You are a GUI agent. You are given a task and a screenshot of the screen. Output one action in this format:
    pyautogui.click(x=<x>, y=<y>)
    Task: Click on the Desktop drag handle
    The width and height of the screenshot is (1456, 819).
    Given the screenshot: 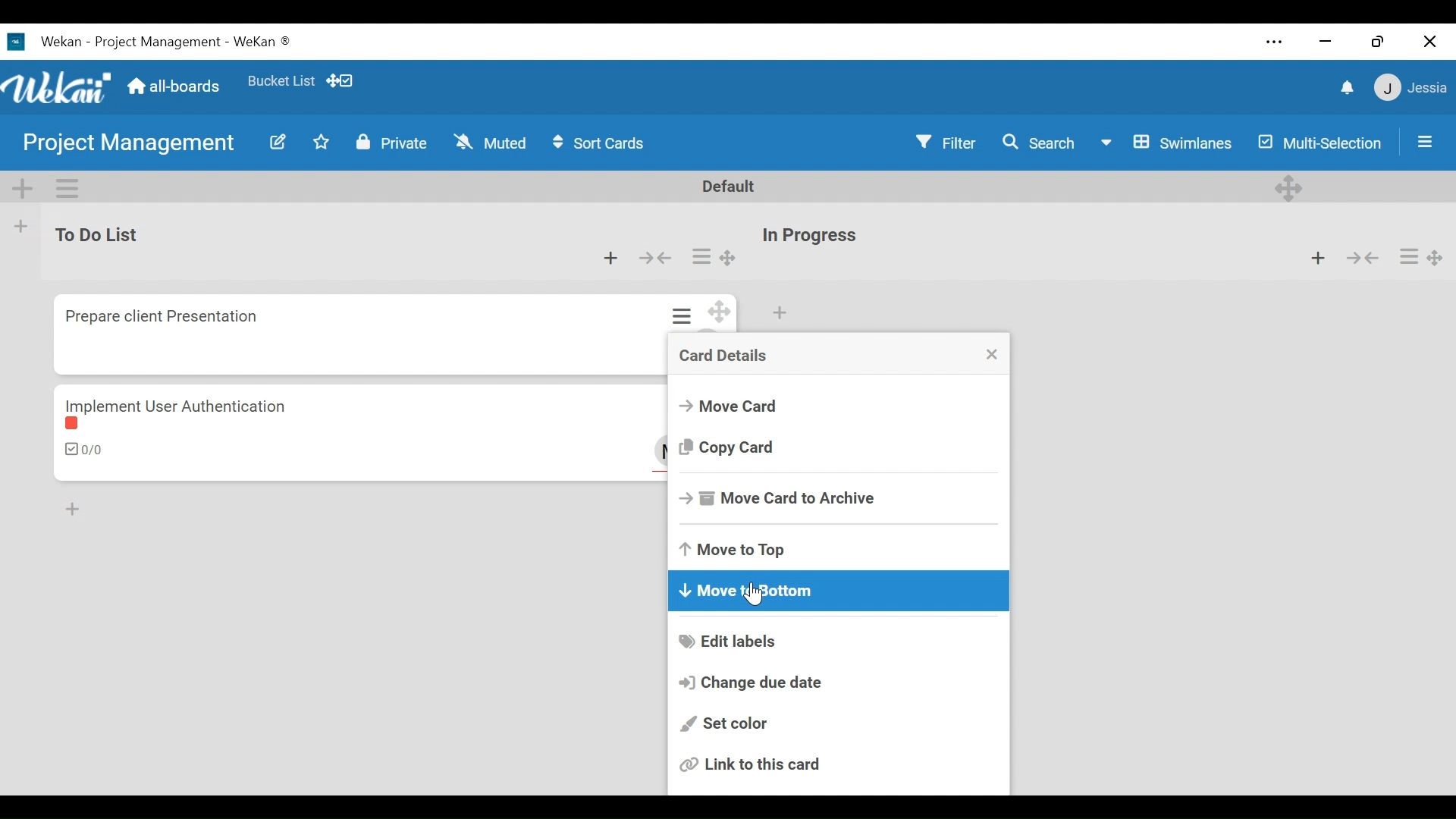 What is the action you would take?
    pyautogui.click(x=720, y=312)
    